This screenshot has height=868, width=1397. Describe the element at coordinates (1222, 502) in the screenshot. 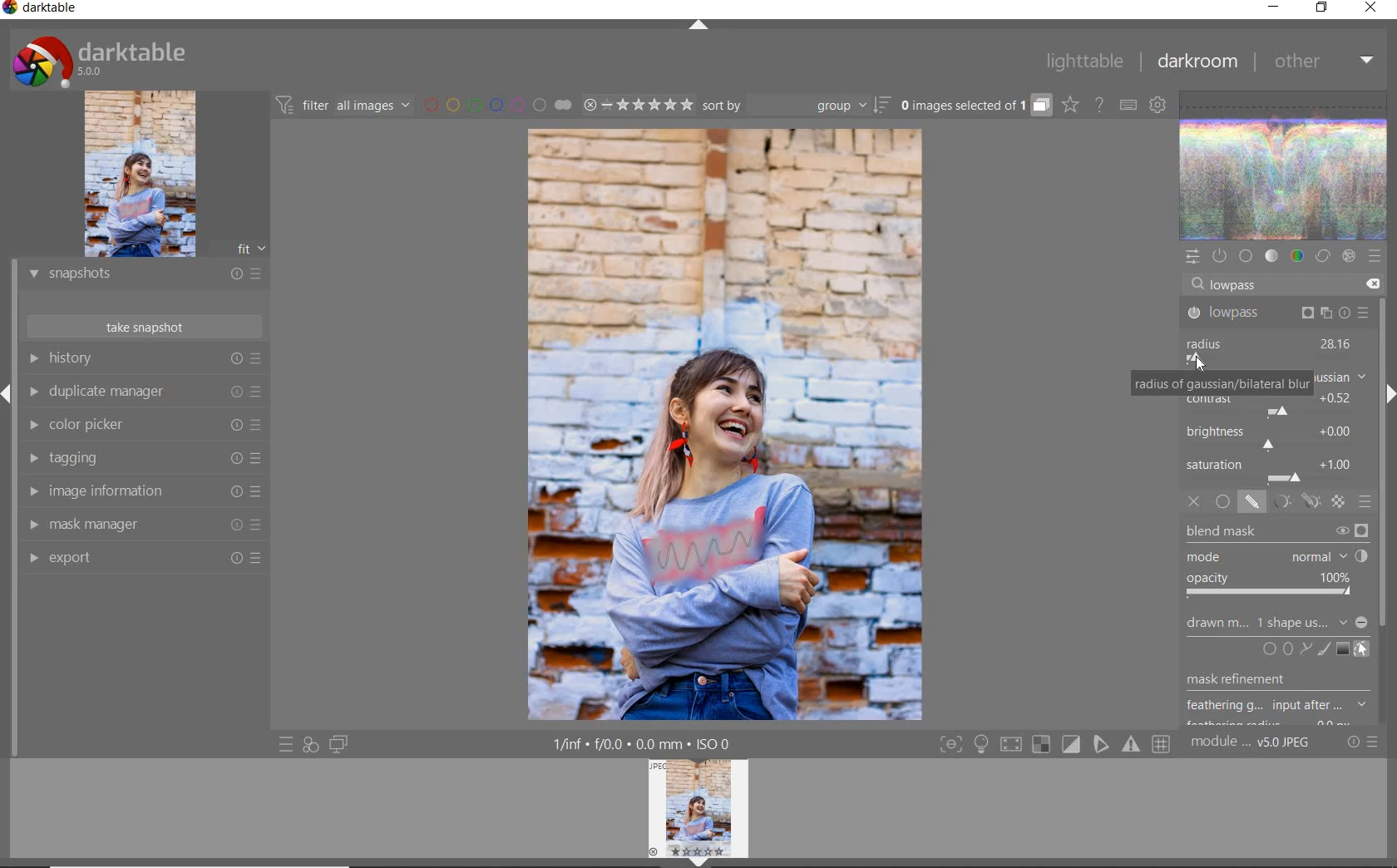

I see `uniformly` at that location.